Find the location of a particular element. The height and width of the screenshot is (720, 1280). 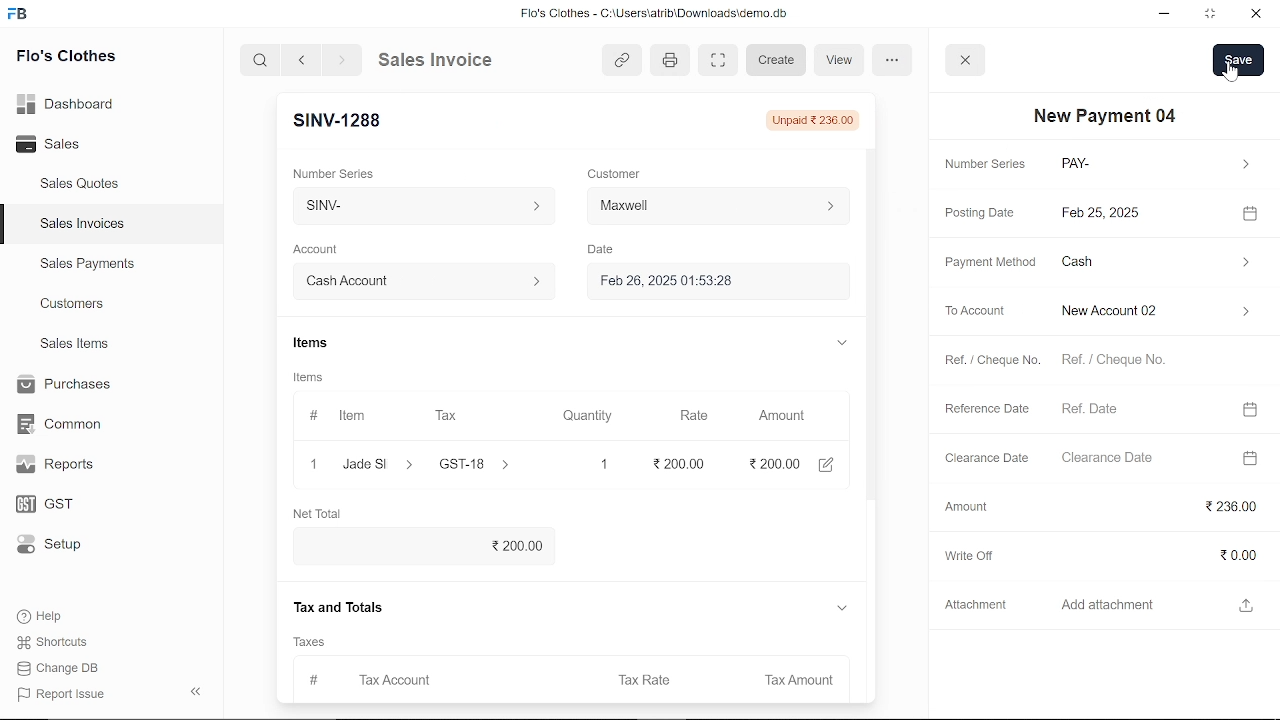

expand is located at coordinates (839, 343).